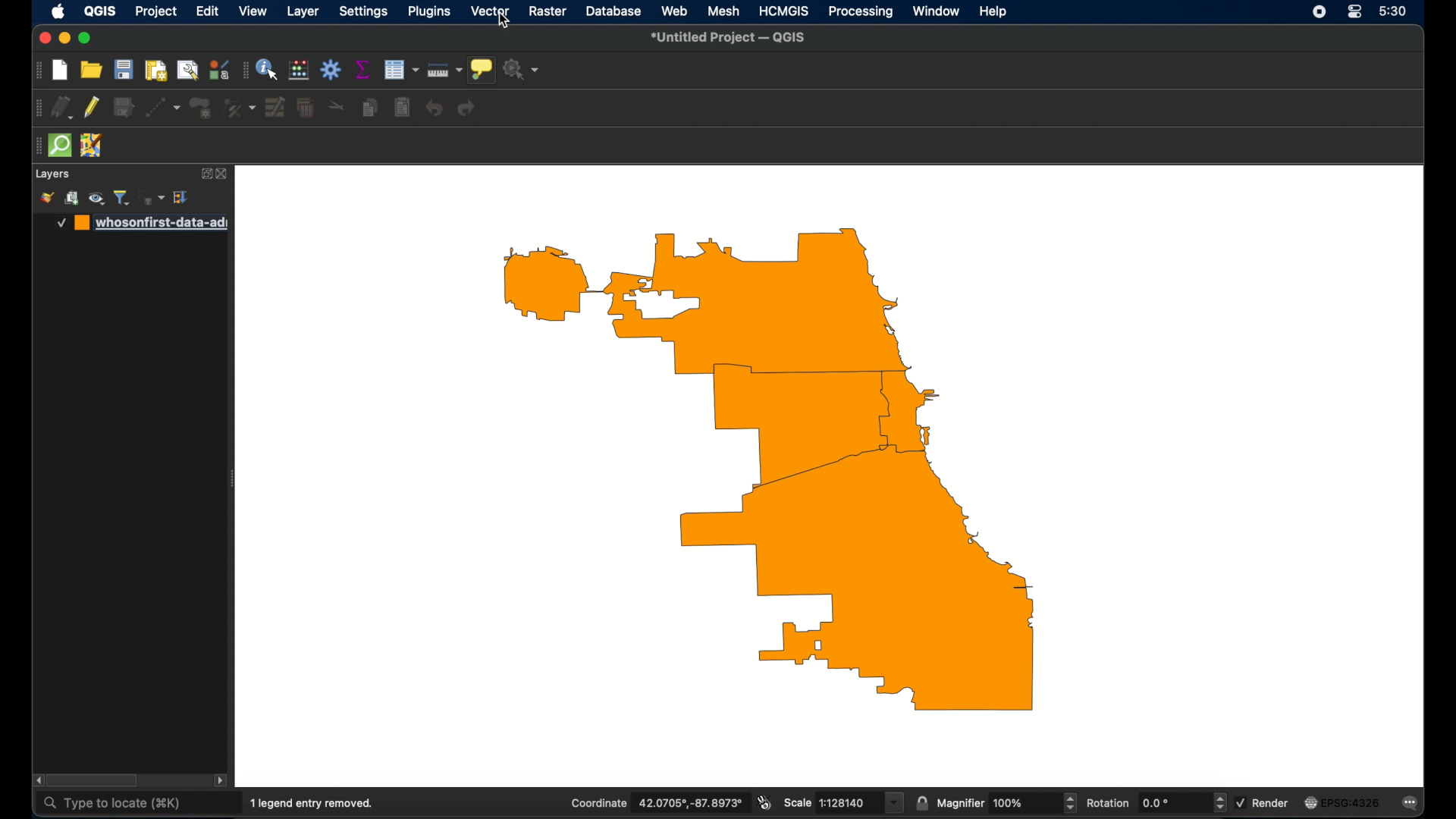  I want to click on new project, so click(60, 70).